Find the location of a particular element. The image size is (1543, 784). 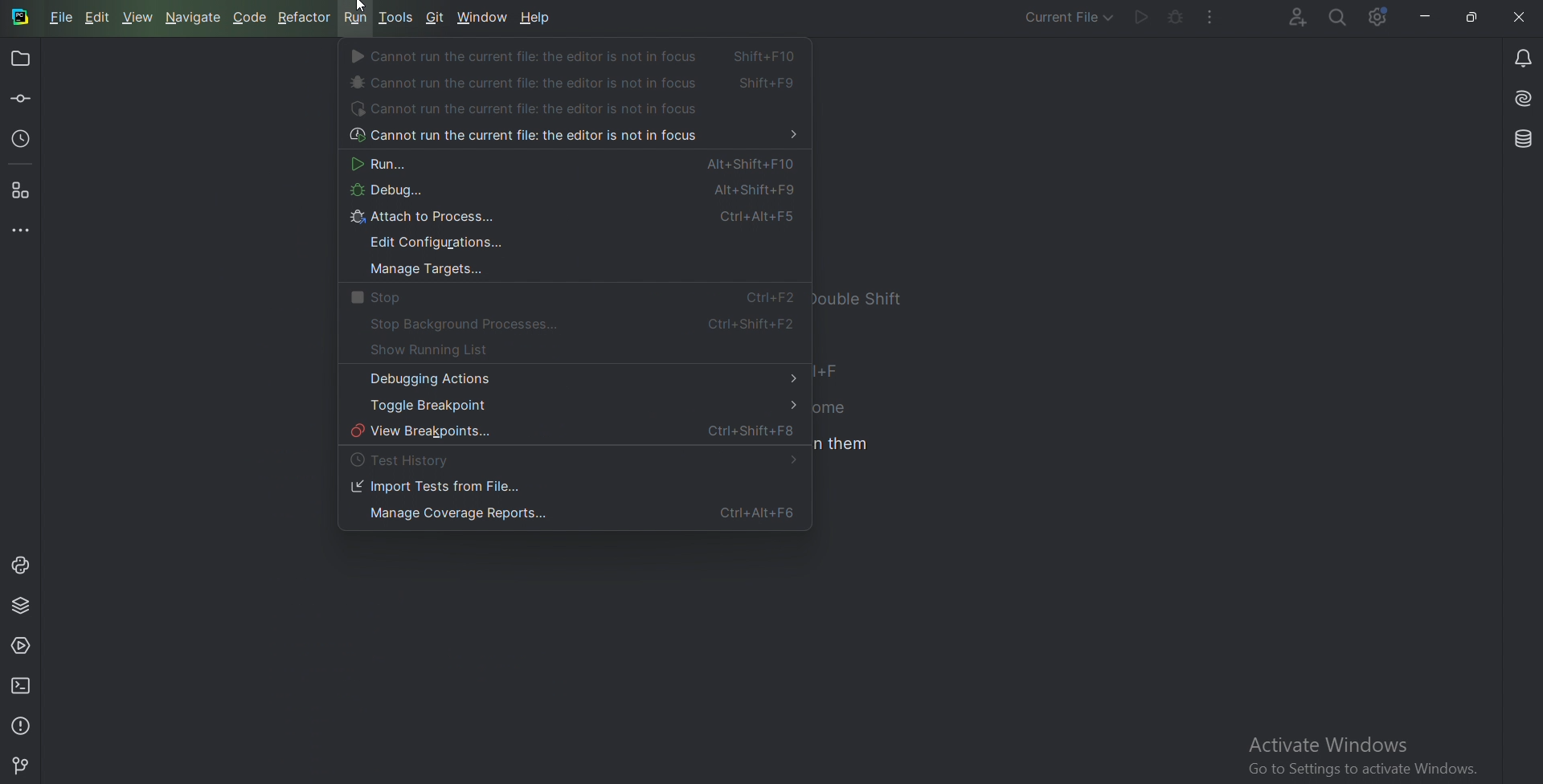

Cannot run the current file the editor is not in focus is located at coordinates (575, 83).